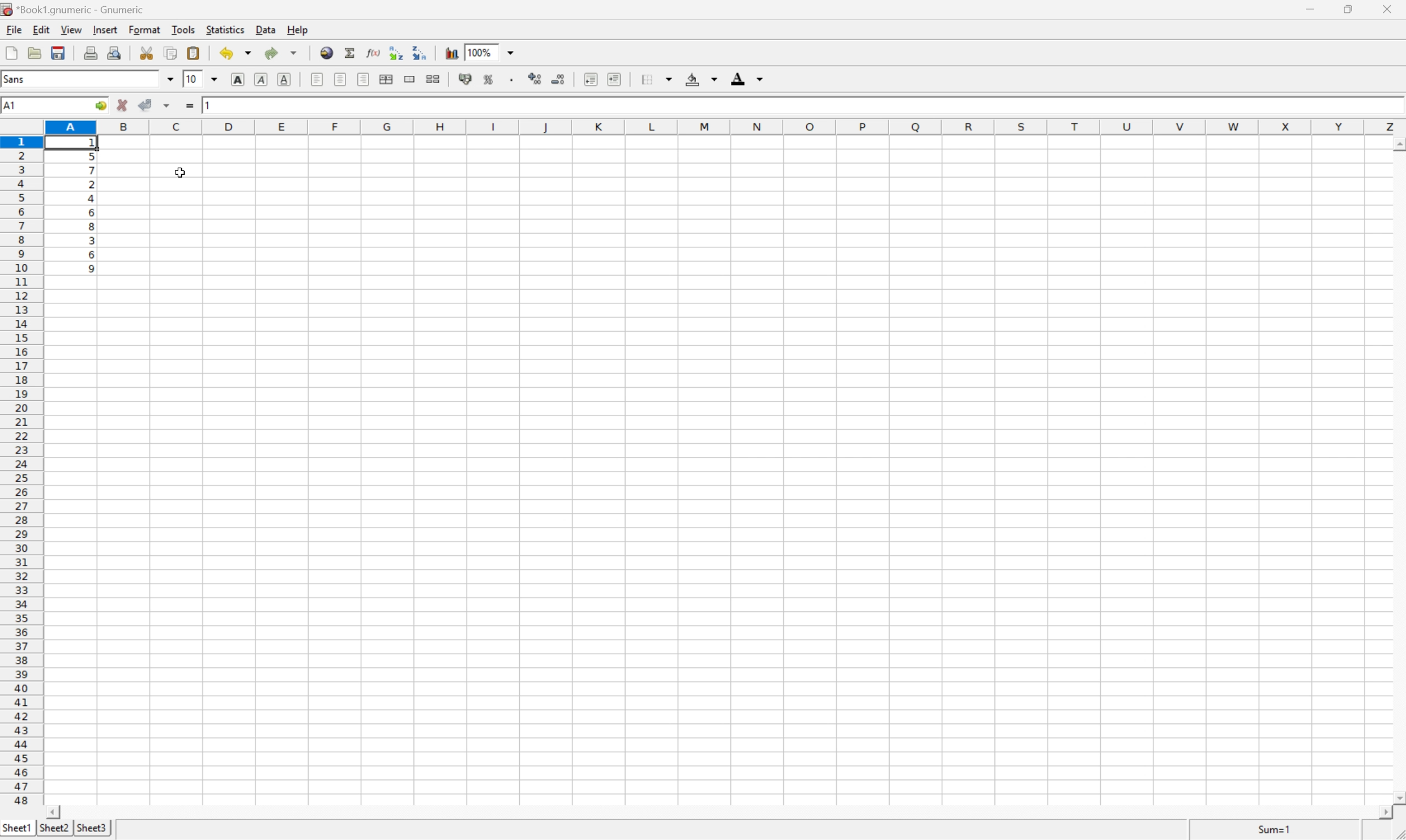  Describe the element at coordinates (561, 79) in the screenshot. I see `decrease number of decimals displayed` at that location.